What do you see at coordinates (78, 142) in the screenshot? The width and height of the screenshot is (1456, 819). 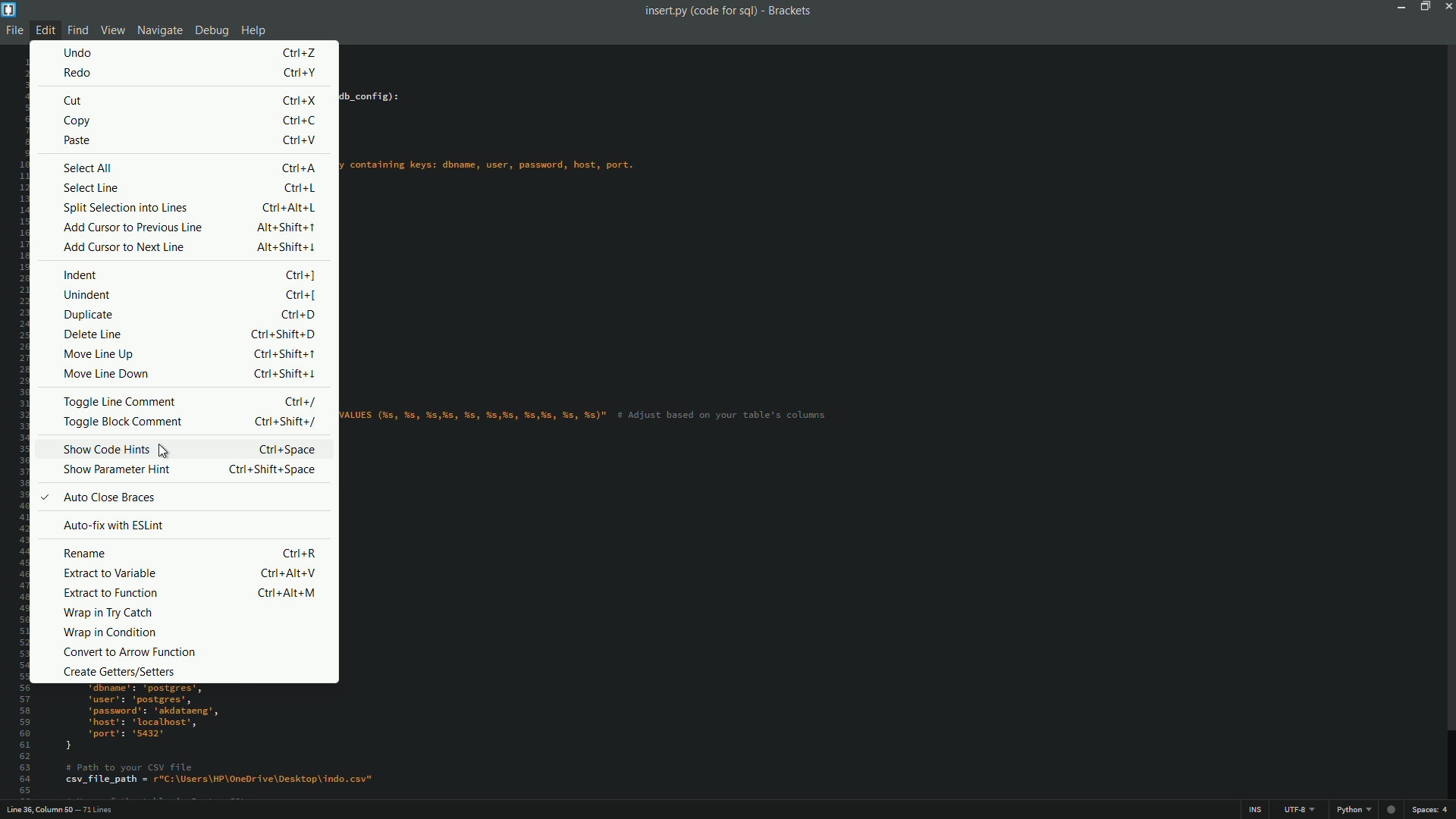 I see `paste` at bounding box center [78, 142].